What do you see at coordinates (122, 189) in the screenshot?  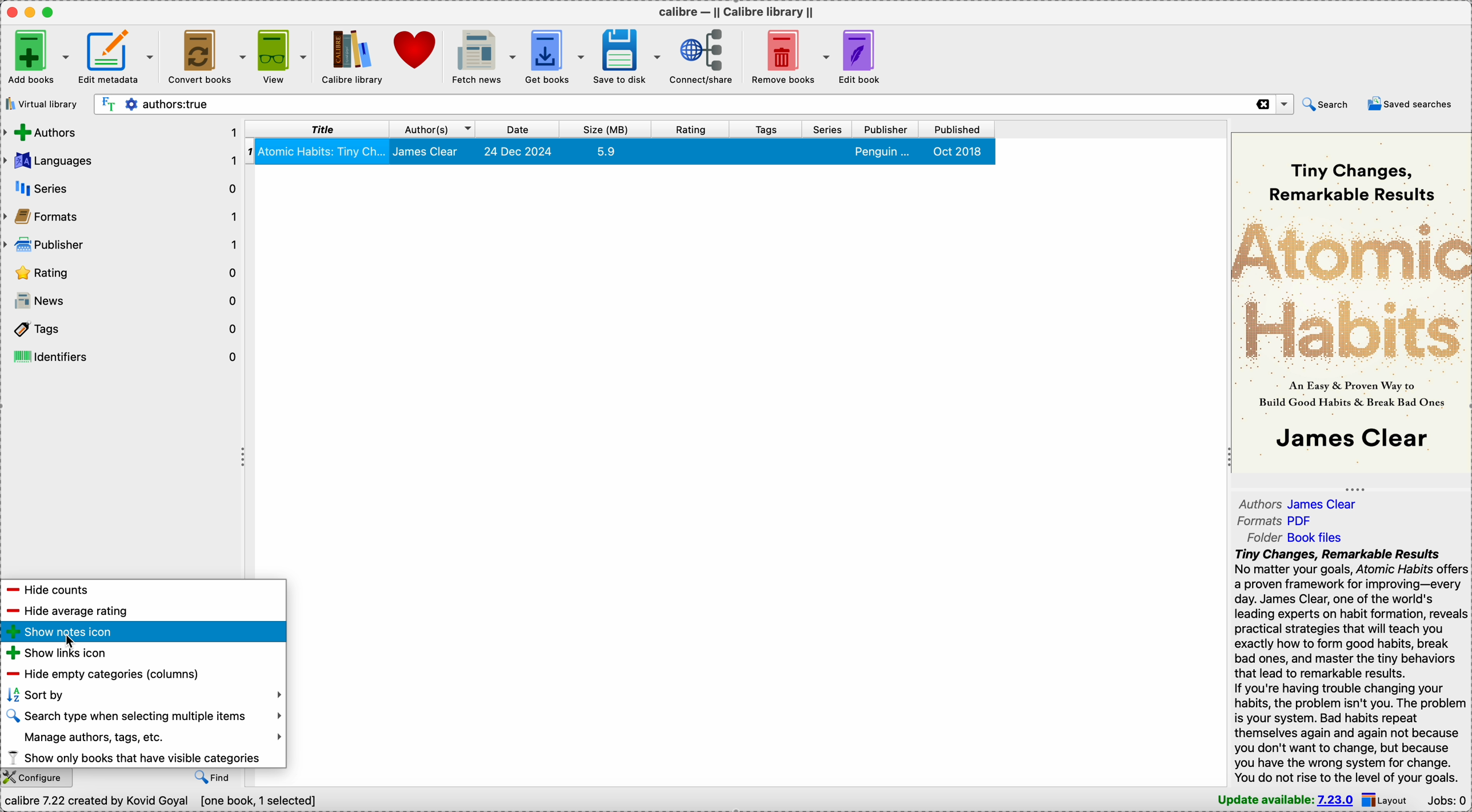 I see `series` at bounding box center [122, 189].